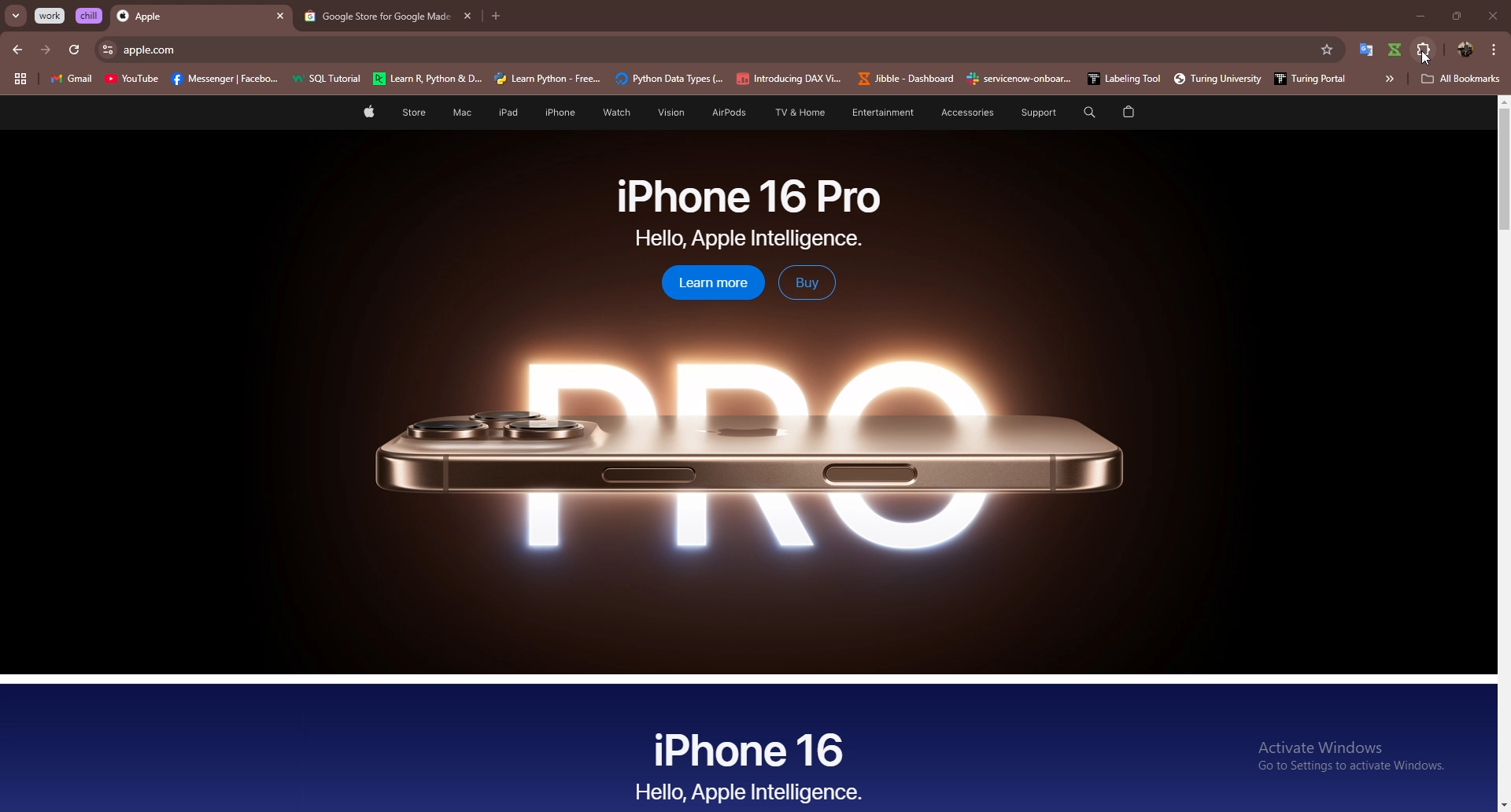  Describe the element at coordinates (461, 113) in the screenshot. I see `Mac` at that location.